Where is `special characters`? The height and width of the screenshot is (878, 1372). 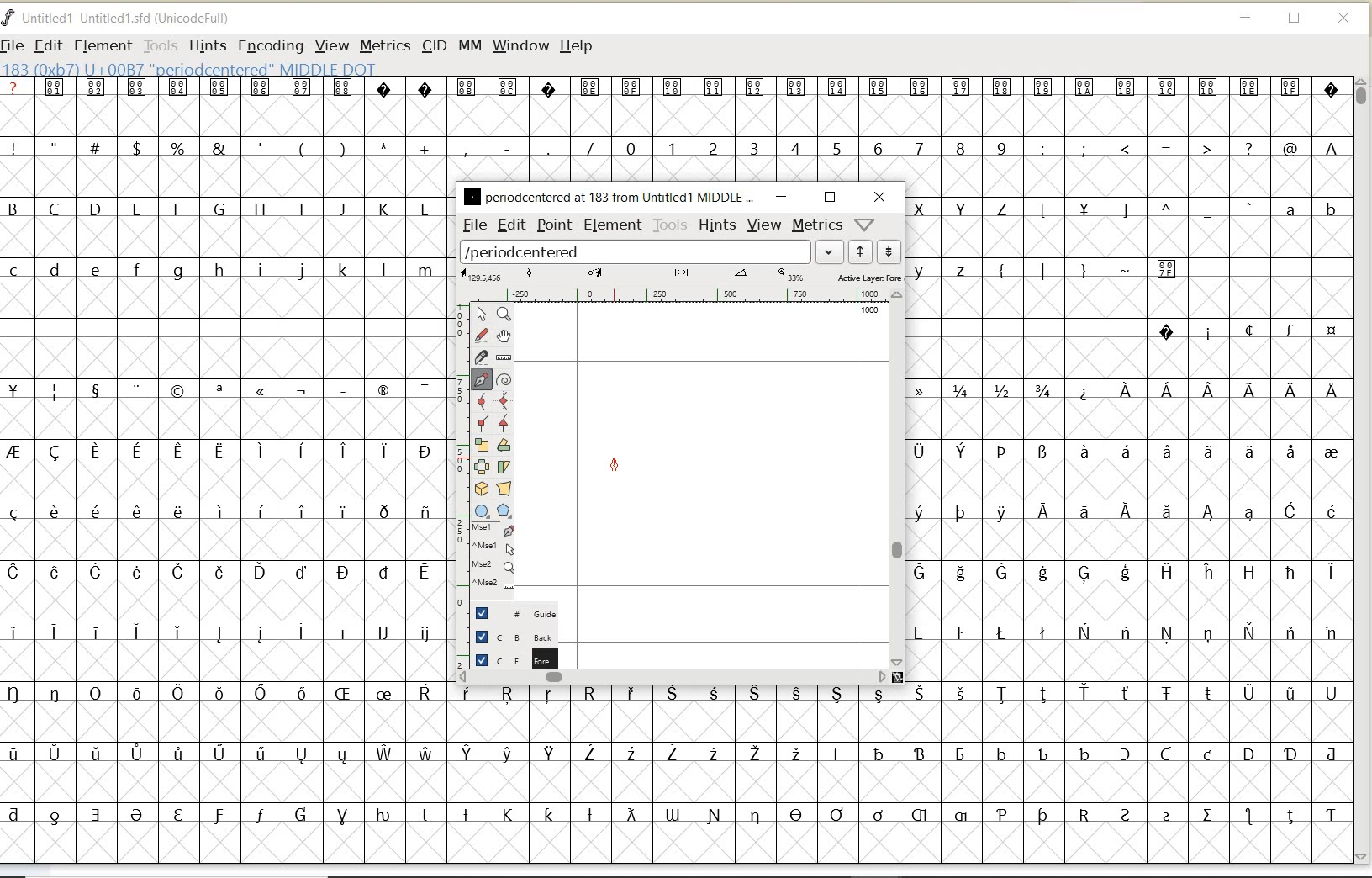 special characters is located at coordinates (1131, 526).